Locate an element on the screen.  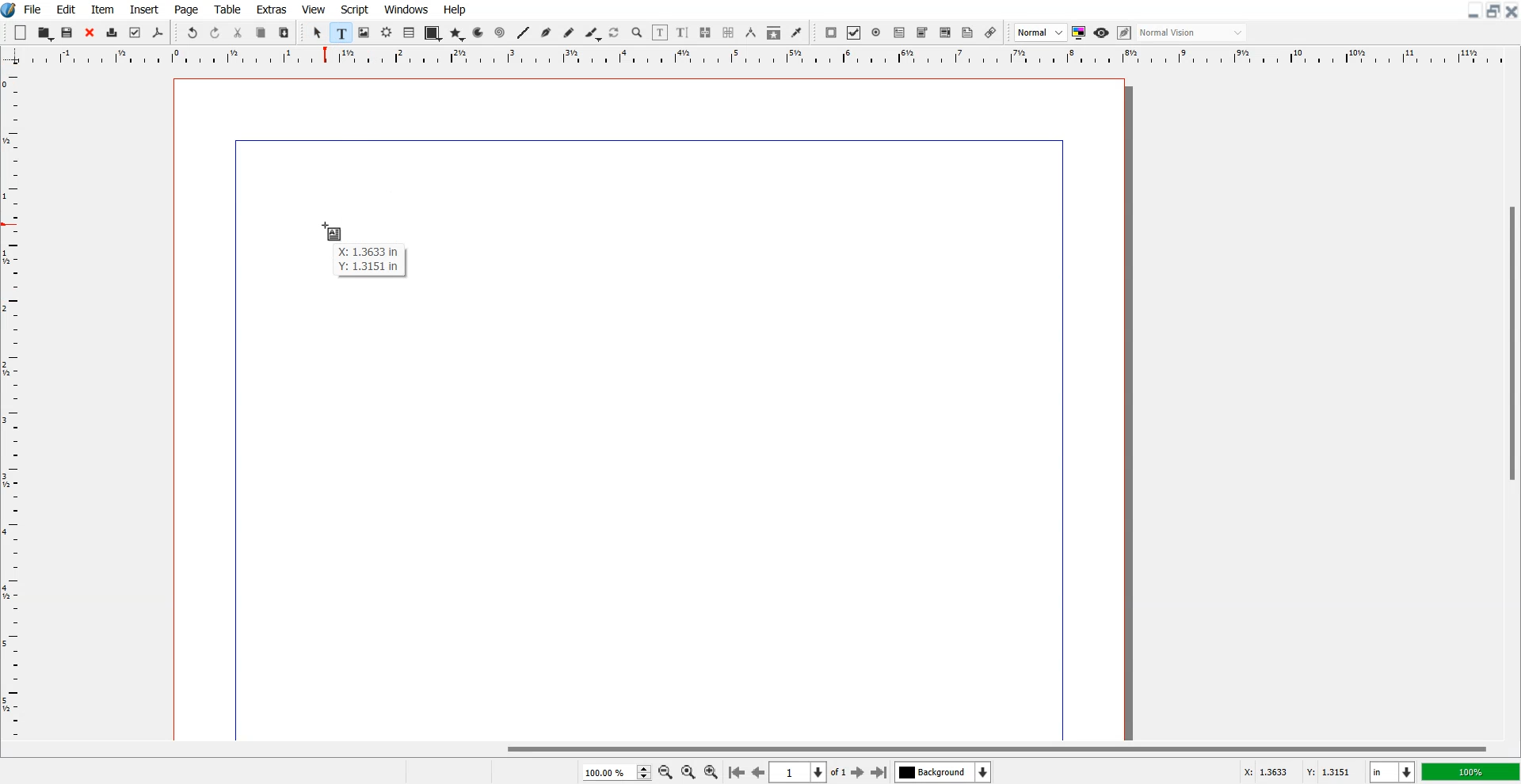
margin is located at coordinates (232, 443).